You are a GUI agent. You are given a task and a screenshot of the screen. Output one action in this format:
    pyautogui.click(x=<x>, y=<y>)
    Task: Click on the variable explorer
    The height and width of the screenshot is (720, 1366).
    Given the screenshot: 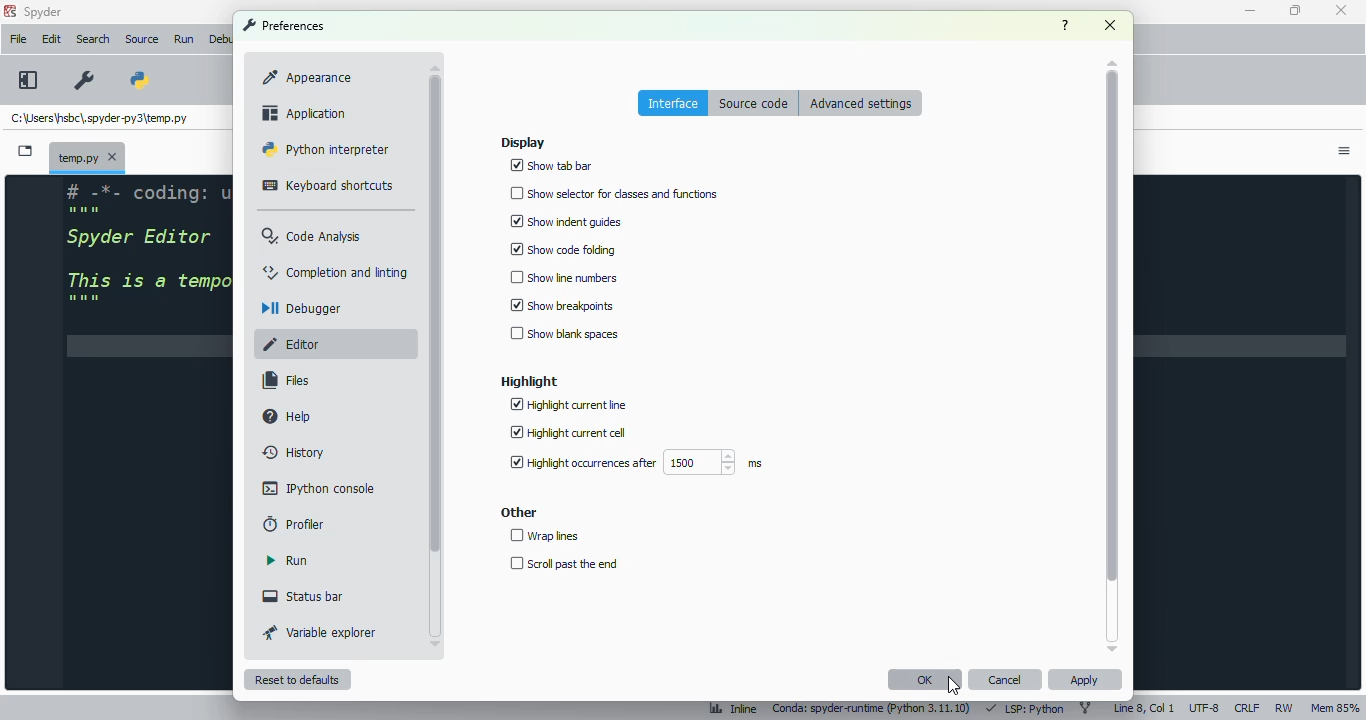 What is the action you would take?
    pyautogui.click(x=321, y=632)
    